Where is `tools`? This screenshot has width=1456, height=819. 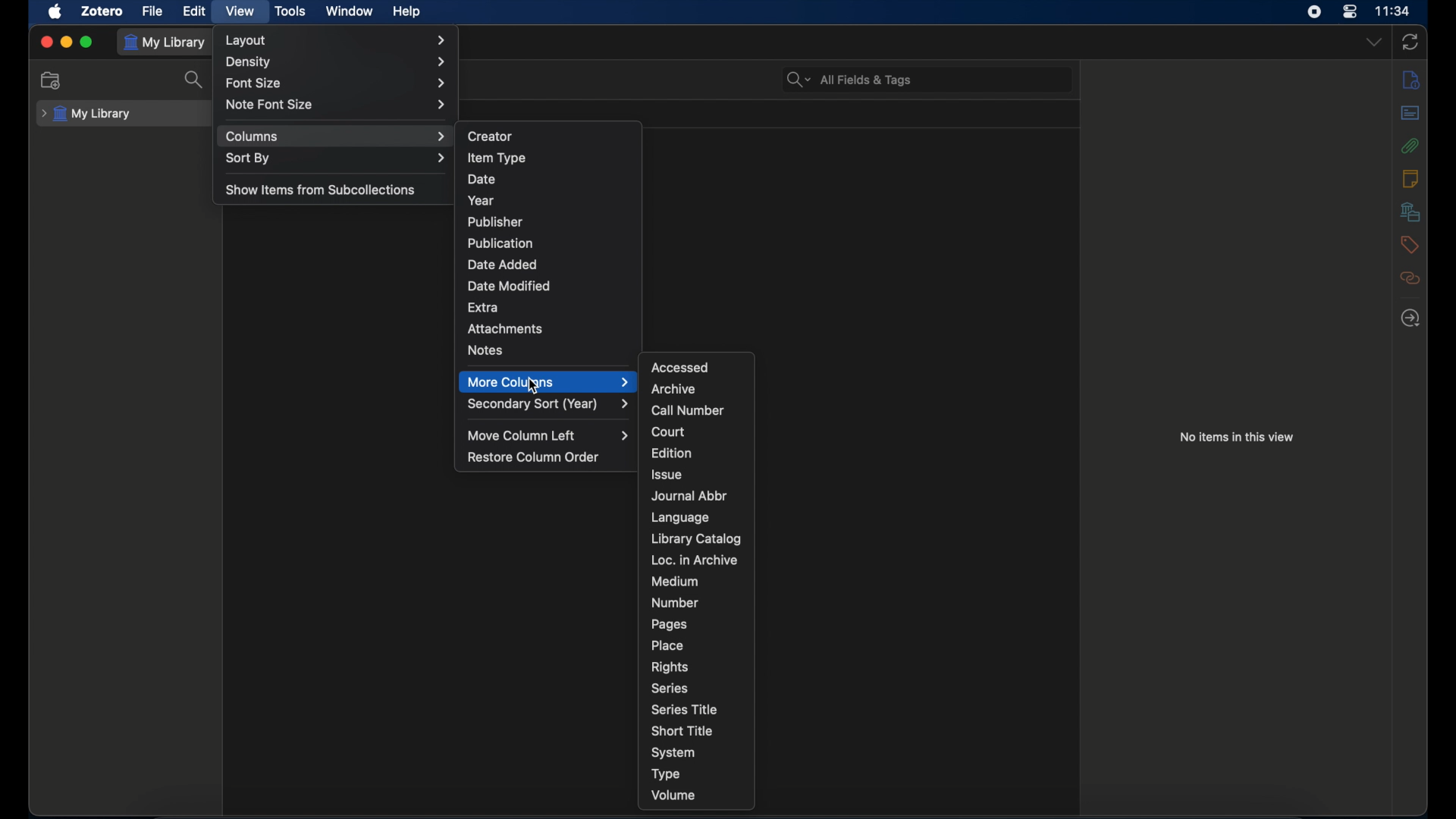 tools is located at coordinates (292, 11).